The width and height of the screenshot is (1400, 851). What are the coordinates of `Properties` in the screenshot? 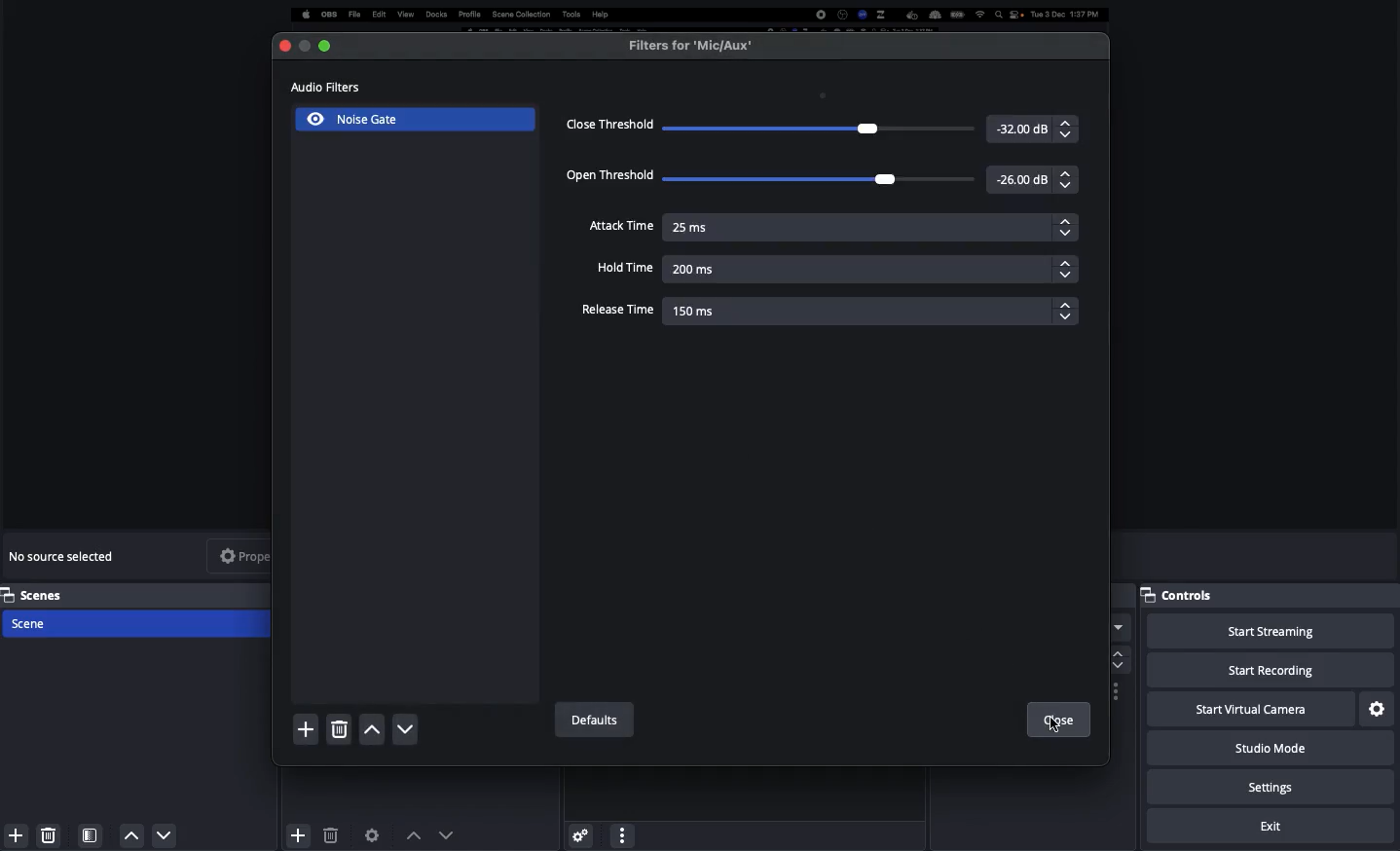 It's located at (257, 555).